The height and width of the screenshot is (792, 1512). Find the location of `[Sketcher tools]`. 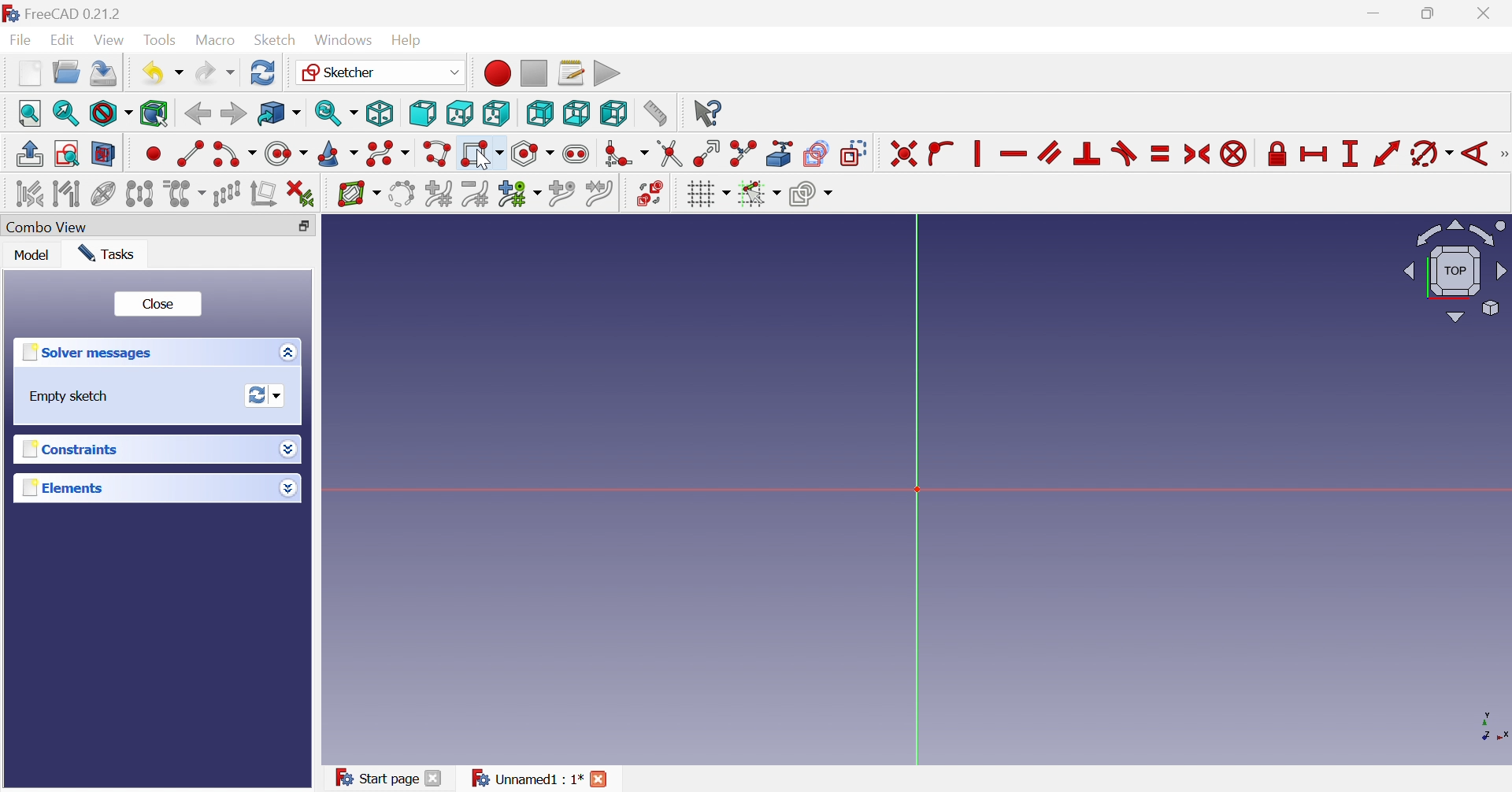

[Sketcher tools] is located at coordinates (1503, 156).